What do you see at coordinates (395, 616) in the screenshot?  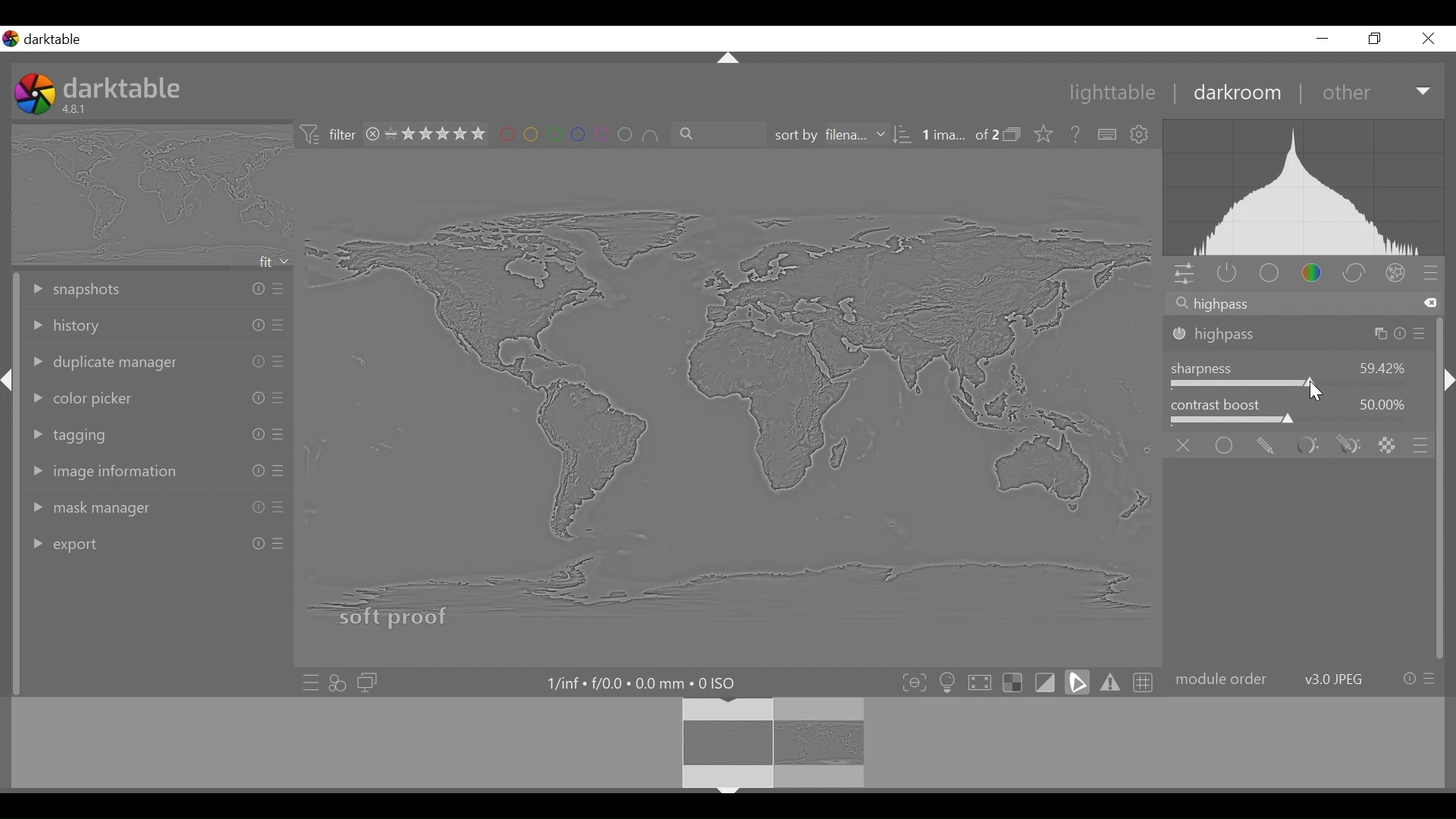 I see `soft proof` at bounding box center [395, 616].